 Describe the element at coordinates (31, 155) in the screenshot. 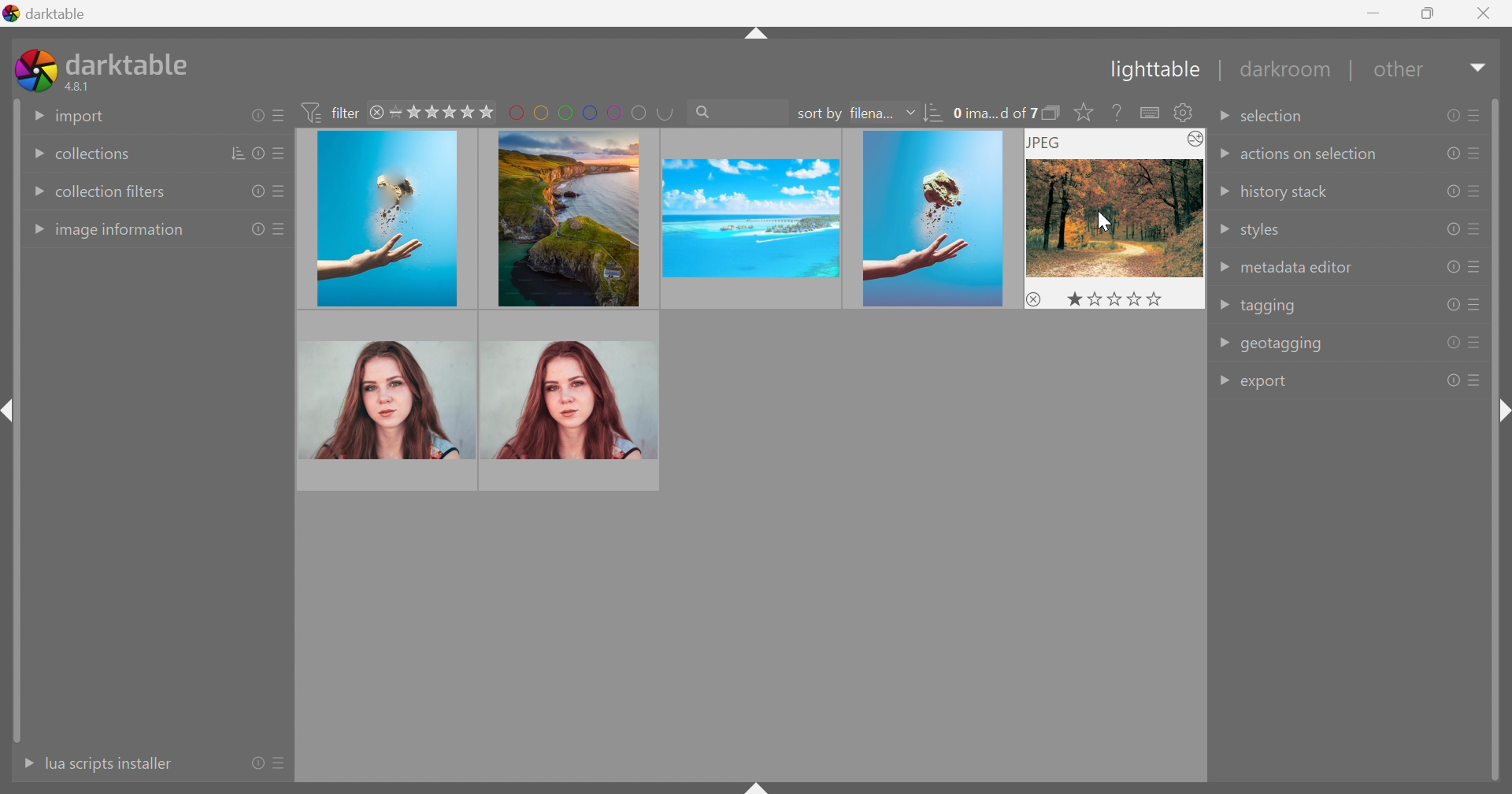

I see `Drop Down` at that location.